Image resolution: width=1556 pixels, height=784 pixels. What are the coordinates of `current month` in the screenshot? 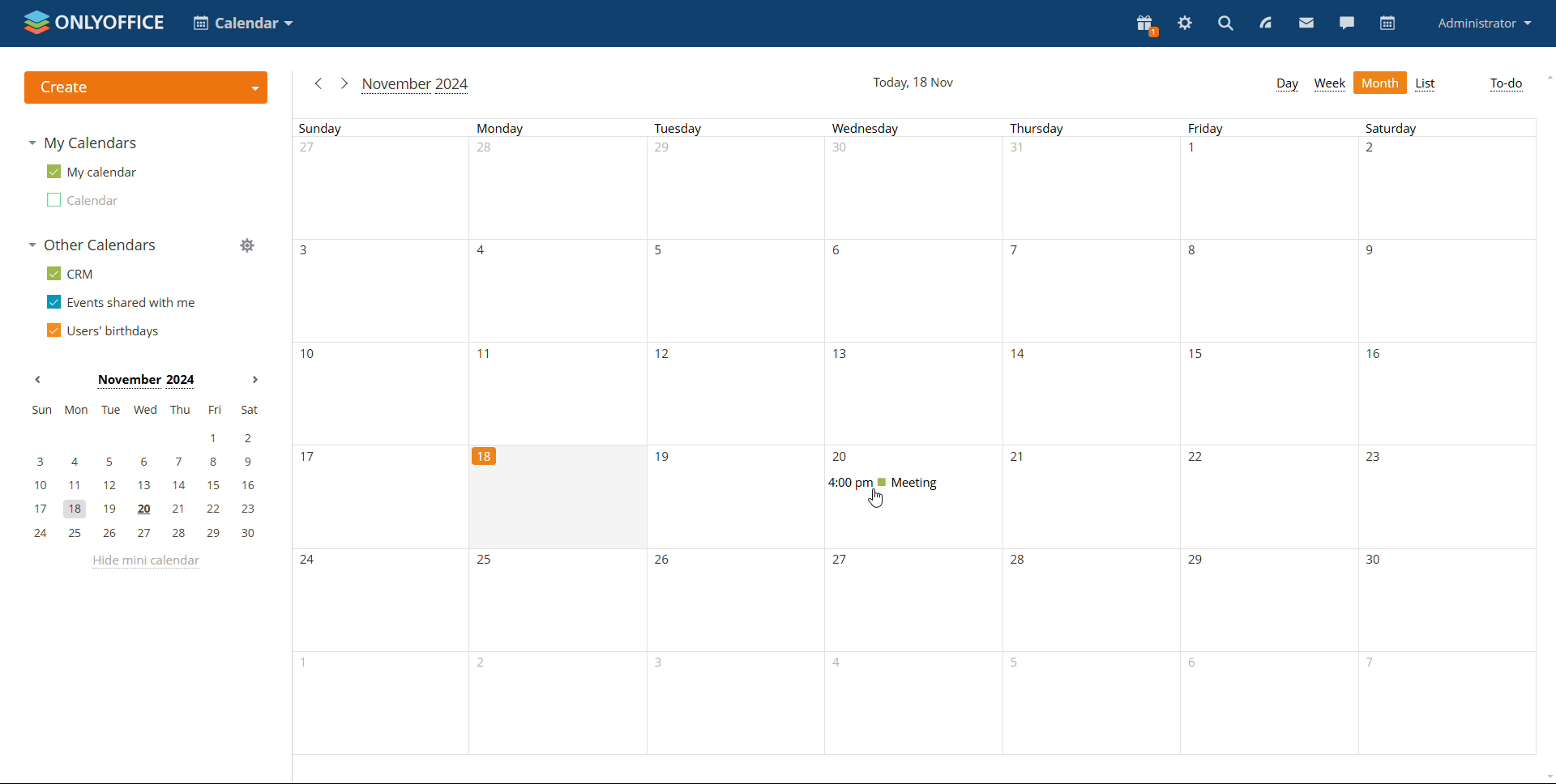 It's located at (417, 87).